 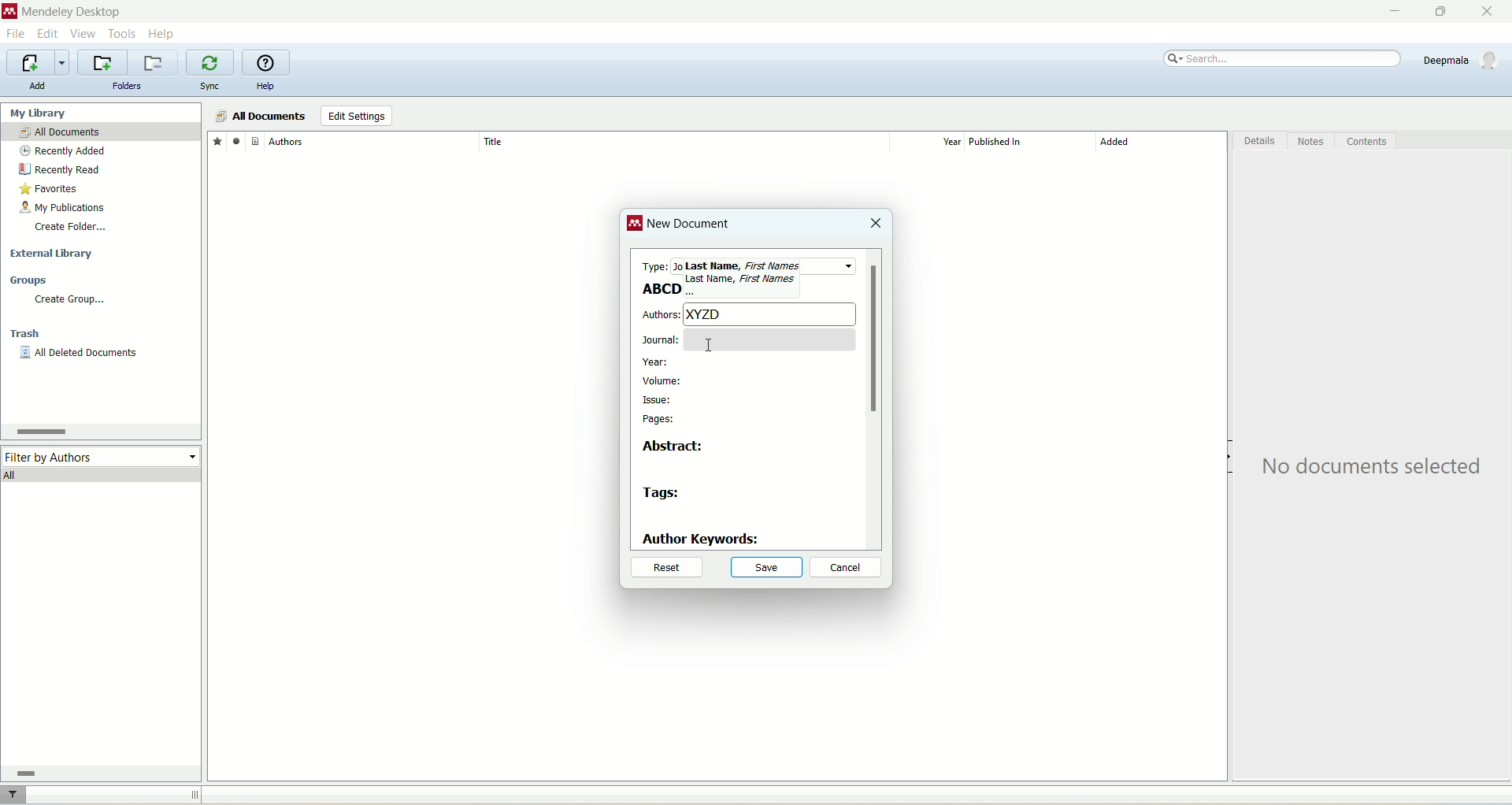 I want to click on author, so click(x=373, y=142).